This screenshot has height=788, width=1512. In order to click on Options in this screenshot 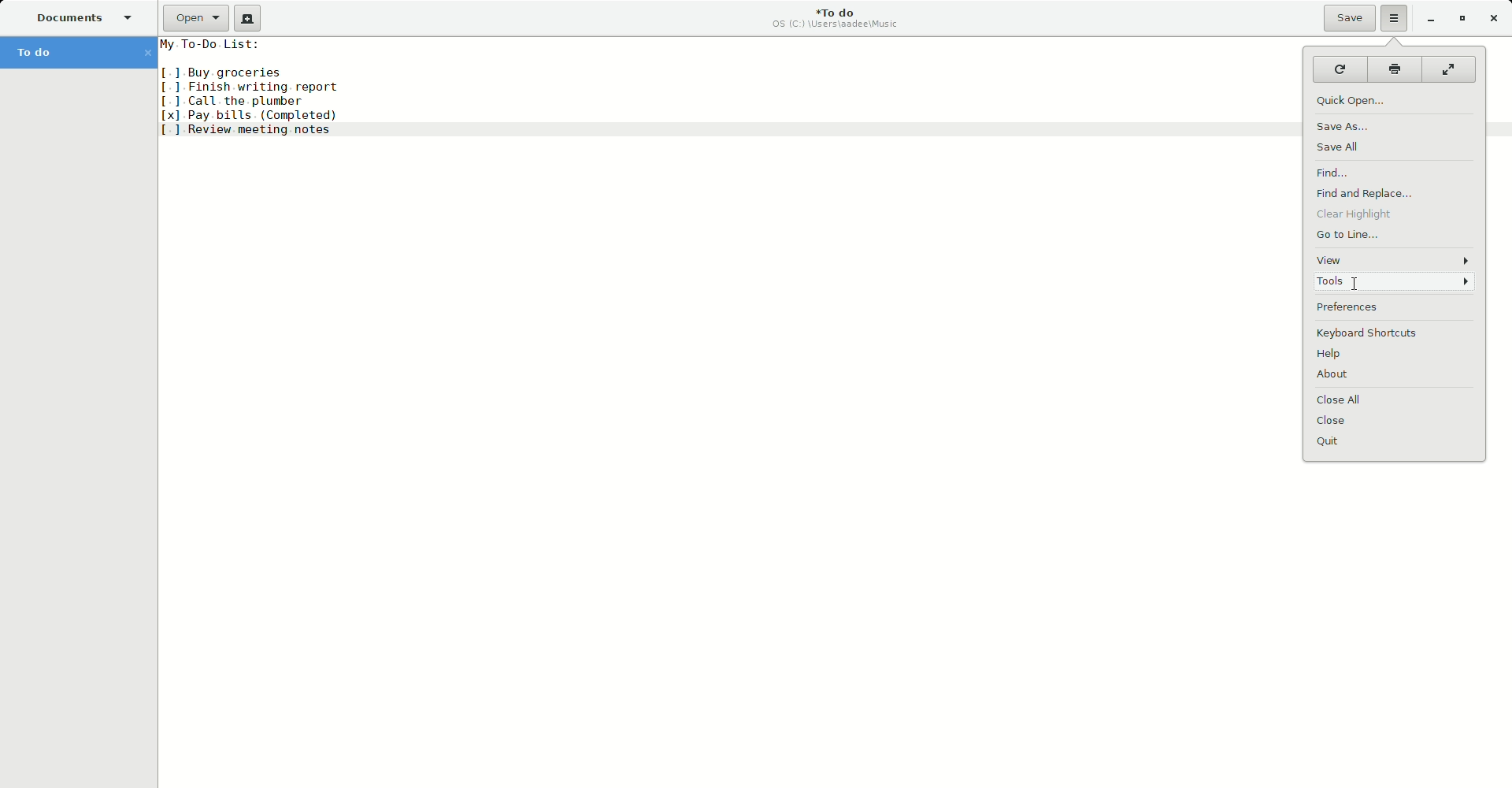, I will do `click(1395, 19)`.